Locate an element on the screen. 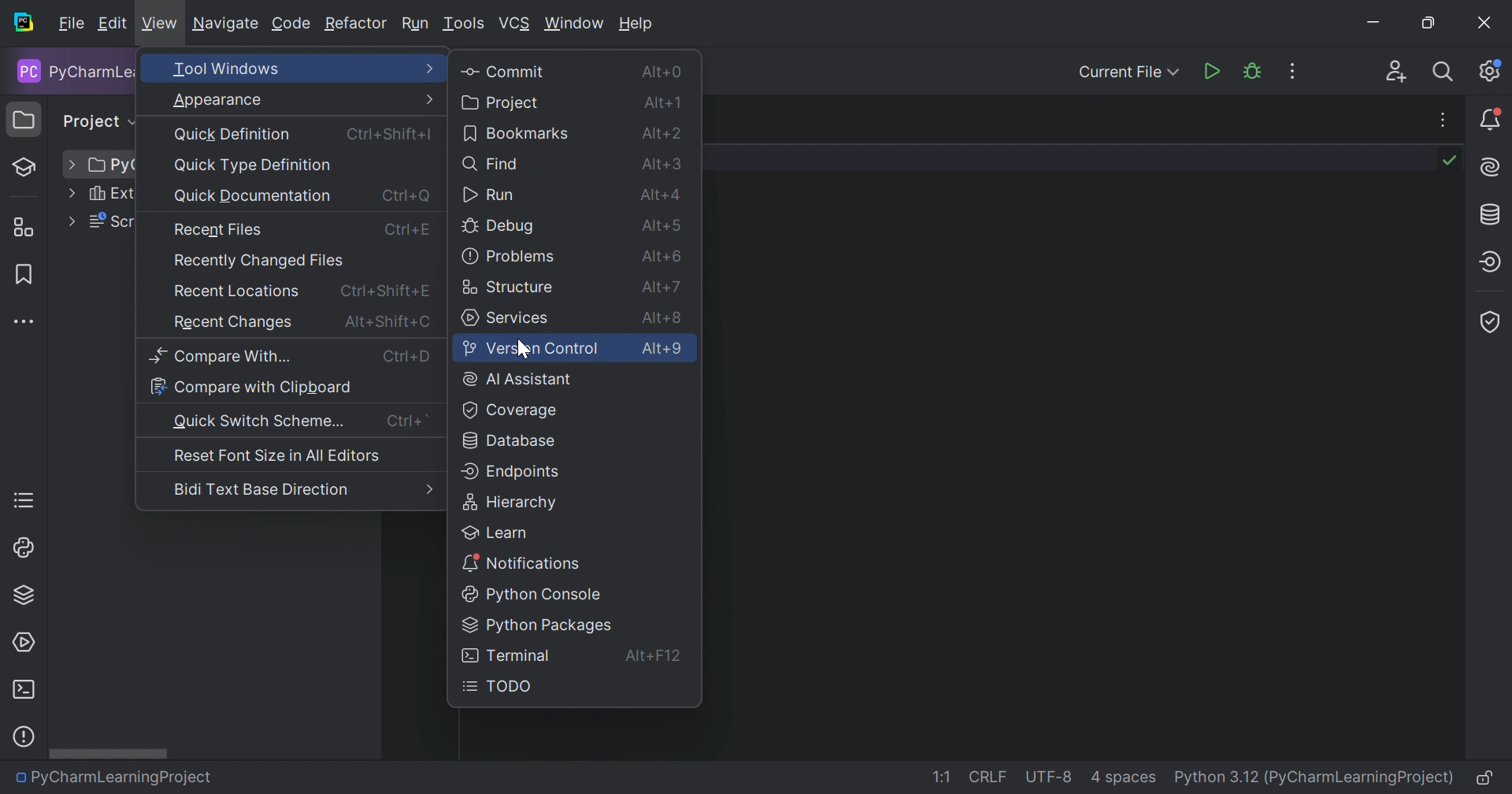 The image size is (1512, 794). Endpoints is located at coordinates (512, 471).